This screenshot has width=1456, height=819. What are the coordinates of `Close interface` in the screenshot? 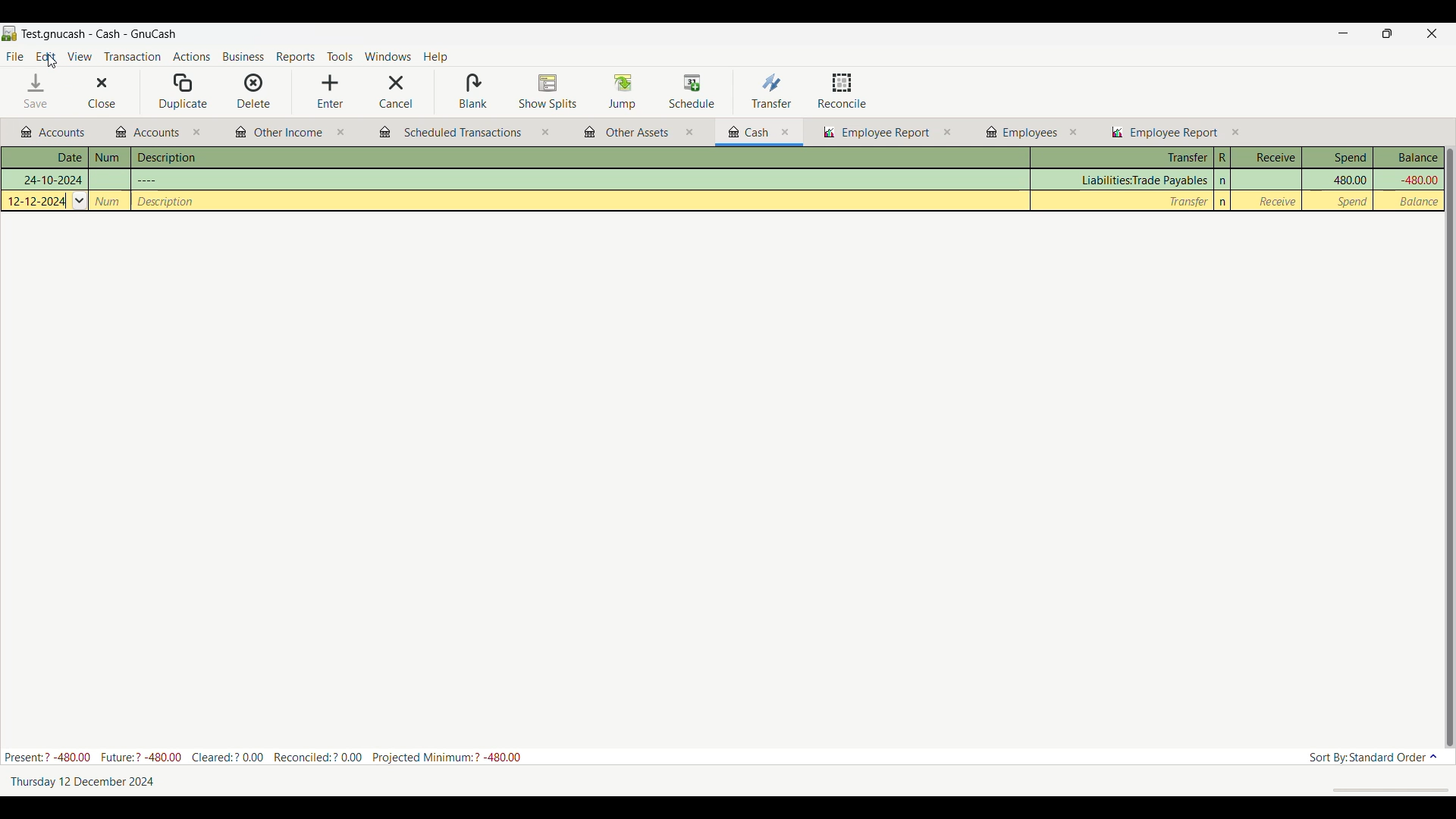 It's located at (1432, 33).